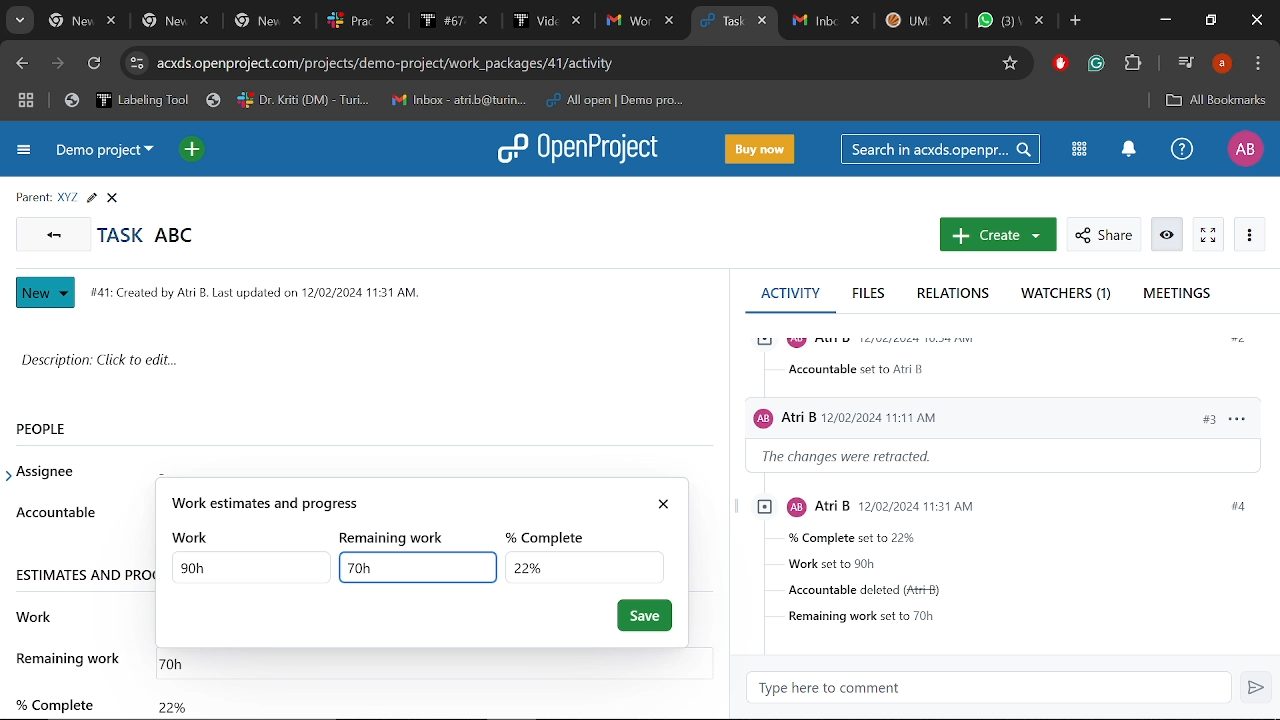 This screenshot has width=1280, height=720. Describe the element at coordinates (29, 196) in the screenshot. I see `parent` at that location.